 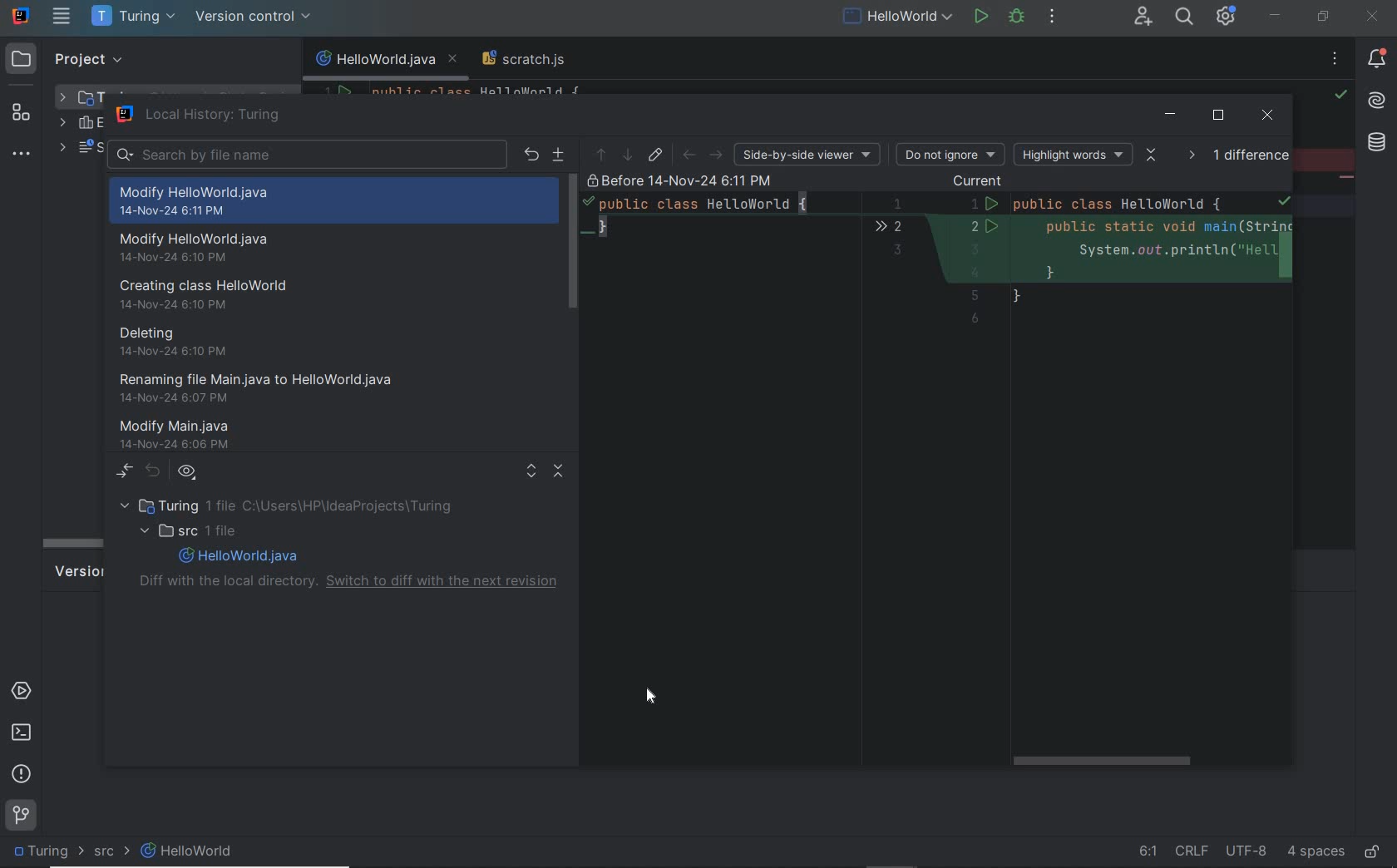 What do you see at coordinates (78, 573) in the screenshot?
I see `version control` at bounding box center [78, 573].